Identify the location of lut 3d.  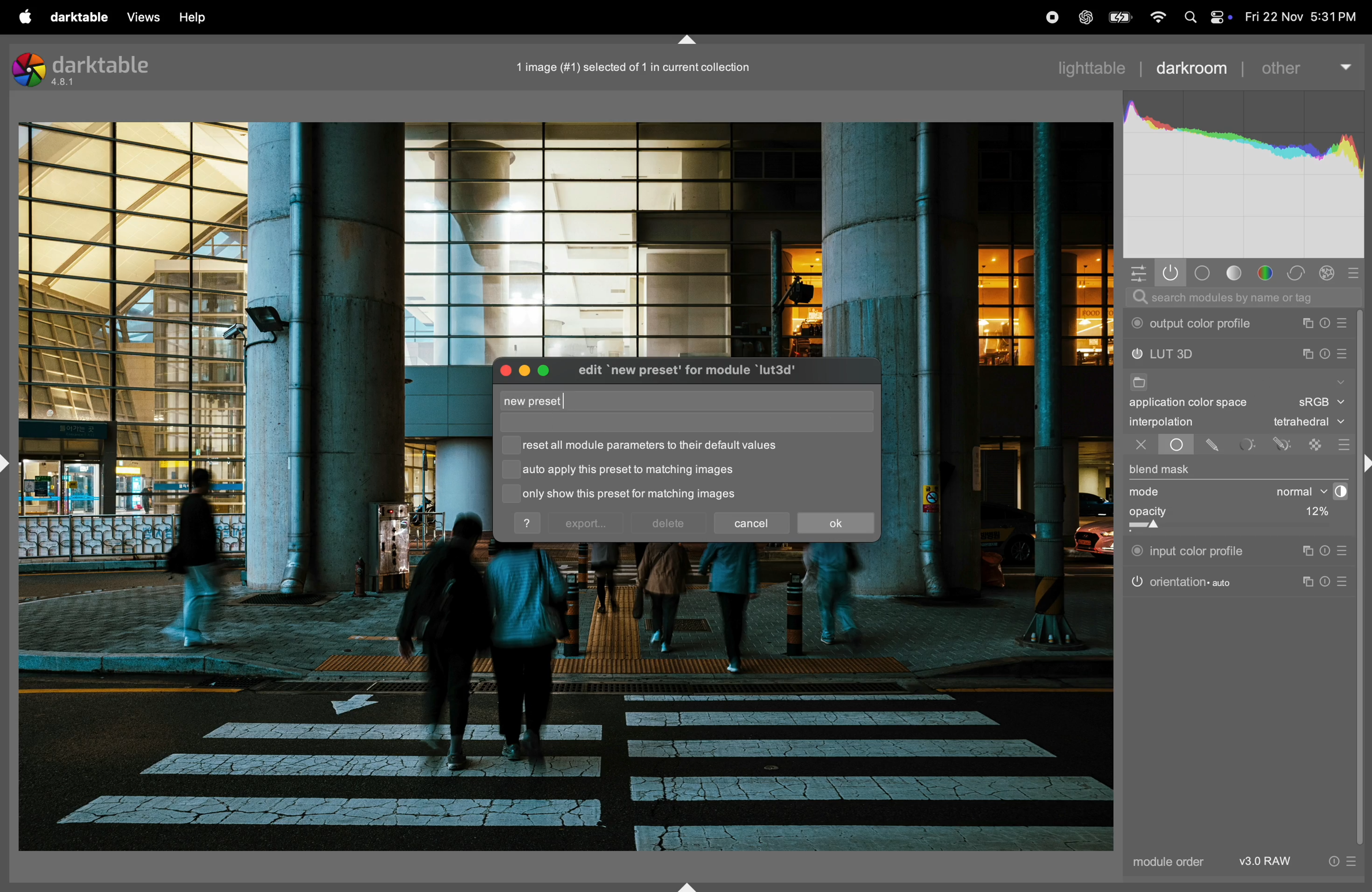
(1187, 355).